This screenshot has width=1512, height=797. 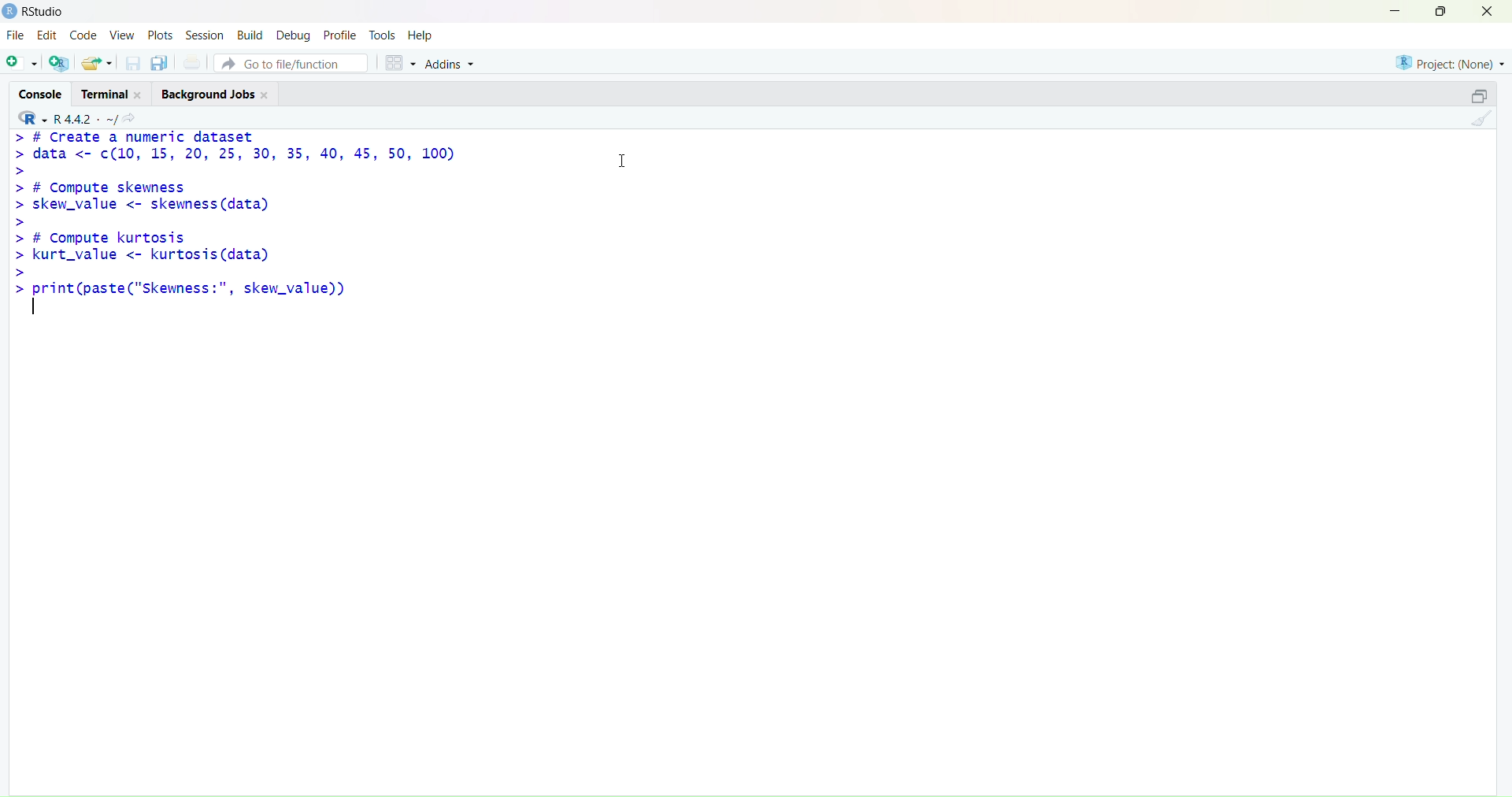 I want to click on Minimize, so click(x=1397, y=12).